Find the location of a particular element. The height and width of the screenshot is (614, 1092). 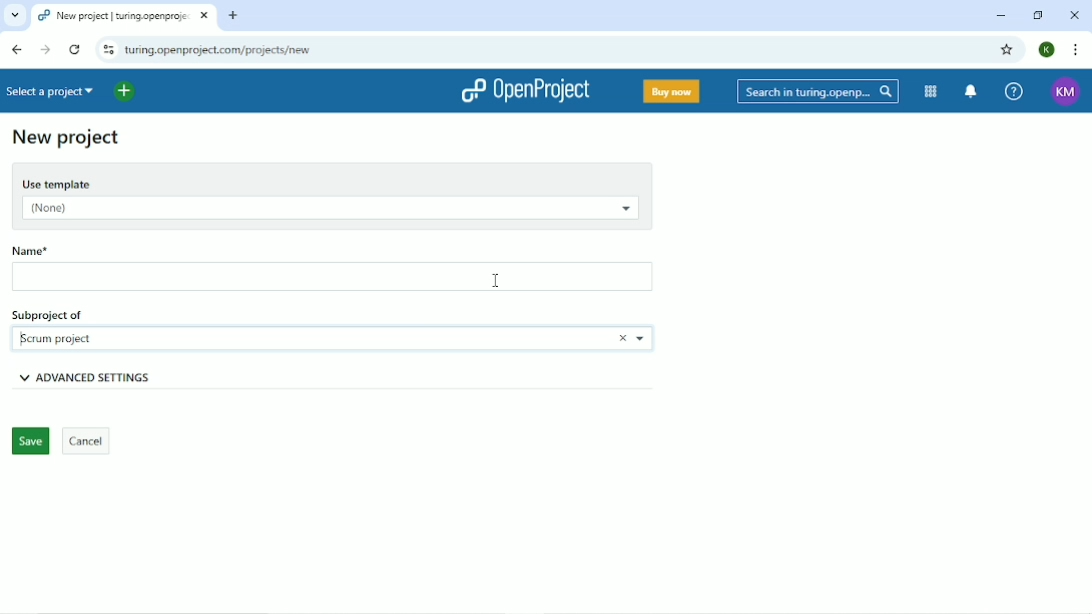

Forward is located at coordinates (46, 50).